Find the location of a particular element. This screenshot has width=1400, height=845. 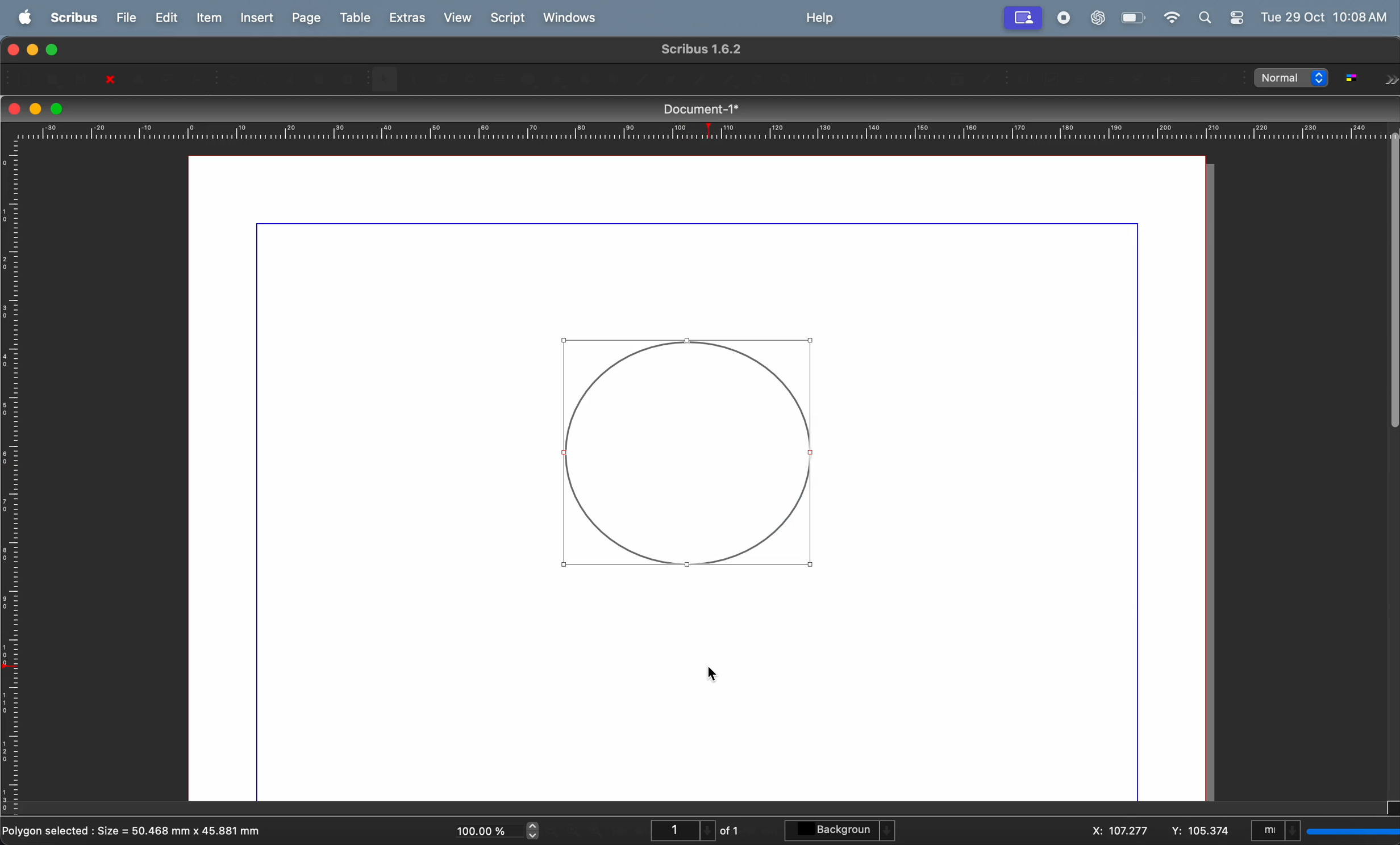

help is located at coordinates (821, 19).